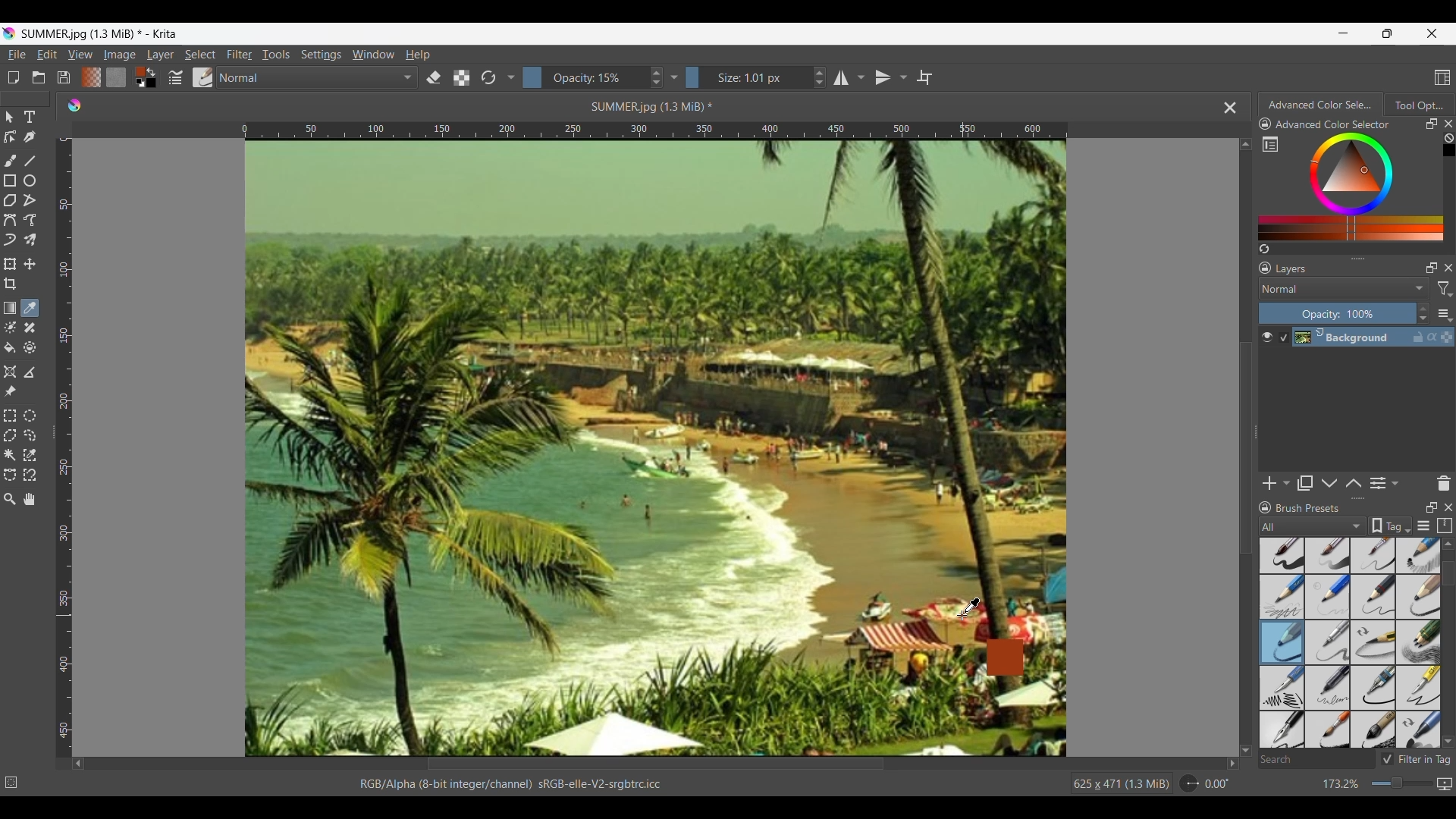  I want to click on Filter options , so click(1444, 290).